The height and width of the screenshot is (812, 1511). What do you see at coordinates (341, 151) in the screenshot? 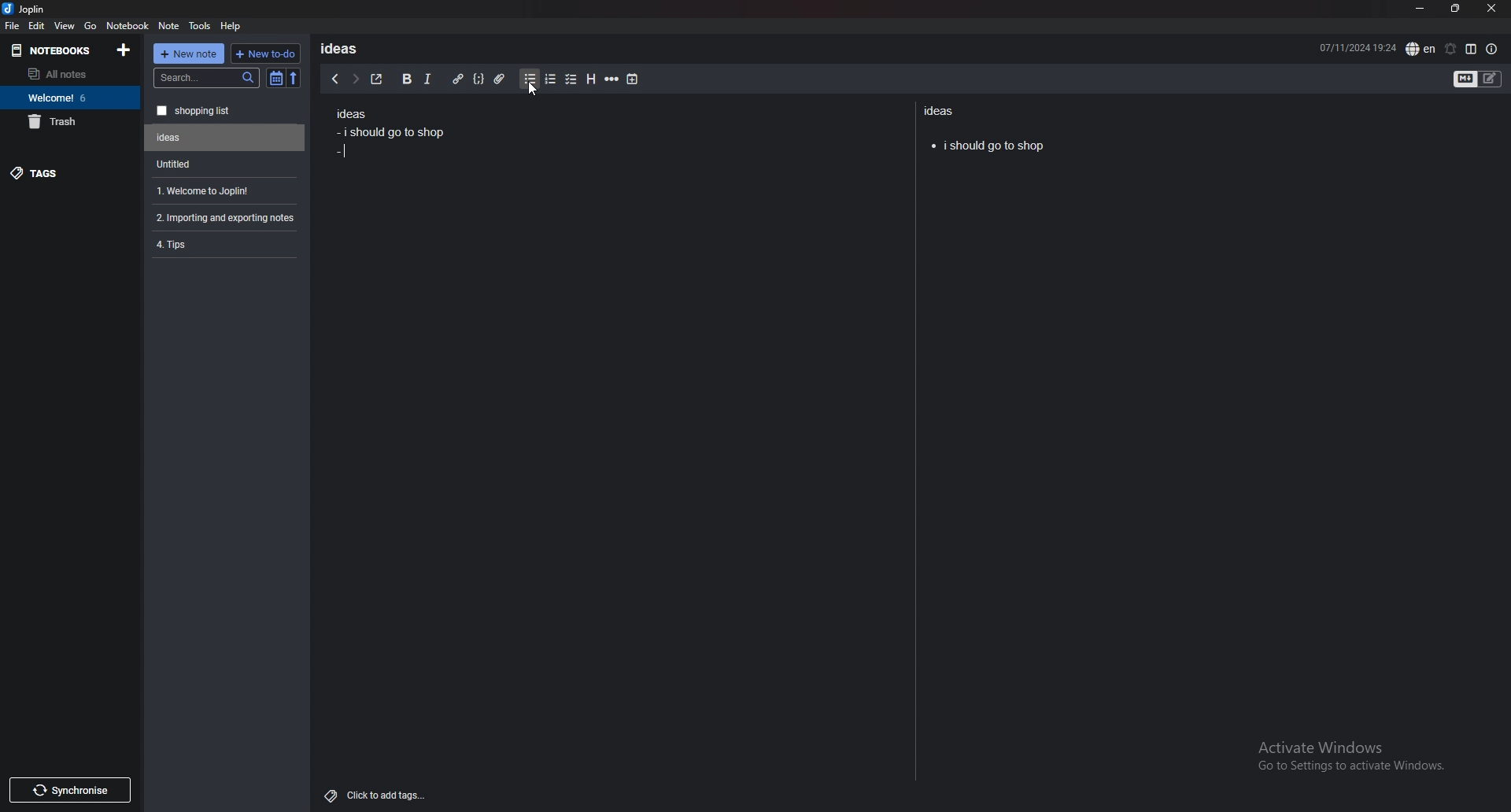
I see `bullet point` at bounding box center [341, 151].